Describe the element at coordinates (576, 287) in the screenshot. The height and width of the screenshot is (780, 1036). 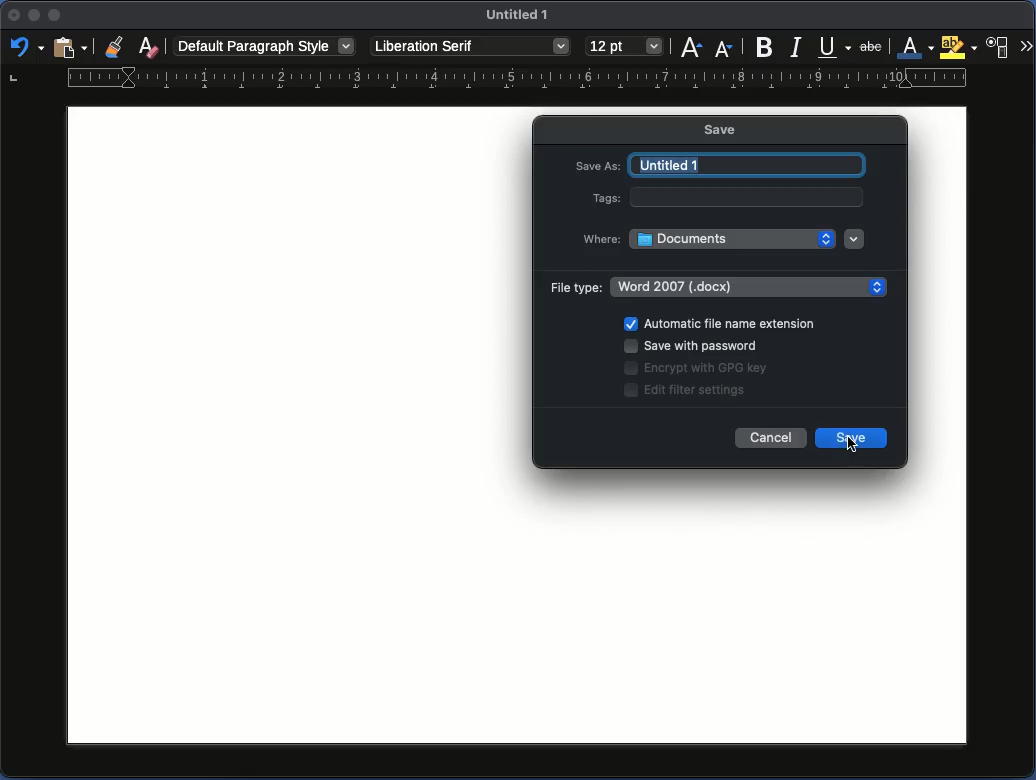
I see `File type` at that location.